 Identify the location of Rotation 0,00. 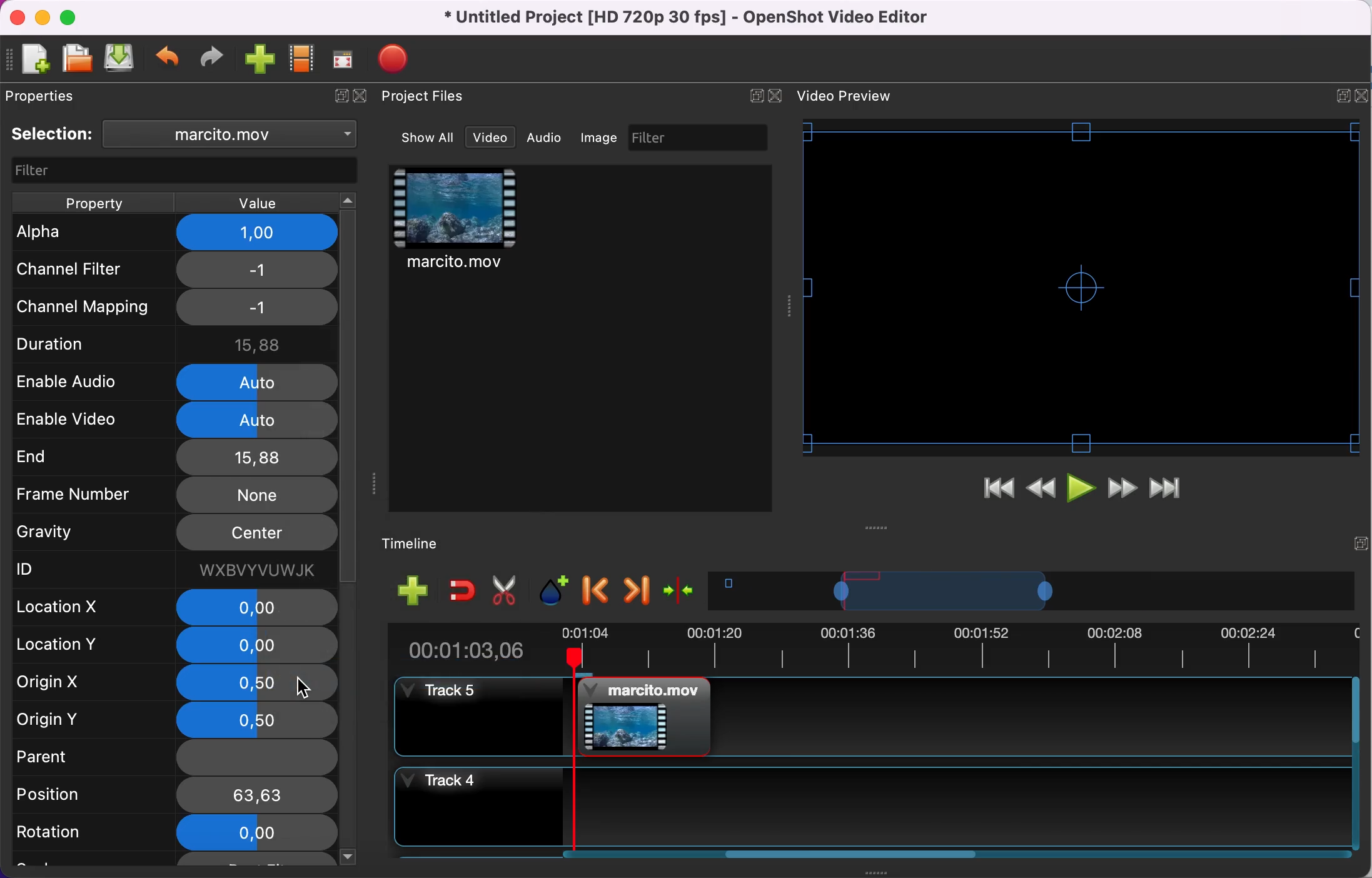
(171, 831).